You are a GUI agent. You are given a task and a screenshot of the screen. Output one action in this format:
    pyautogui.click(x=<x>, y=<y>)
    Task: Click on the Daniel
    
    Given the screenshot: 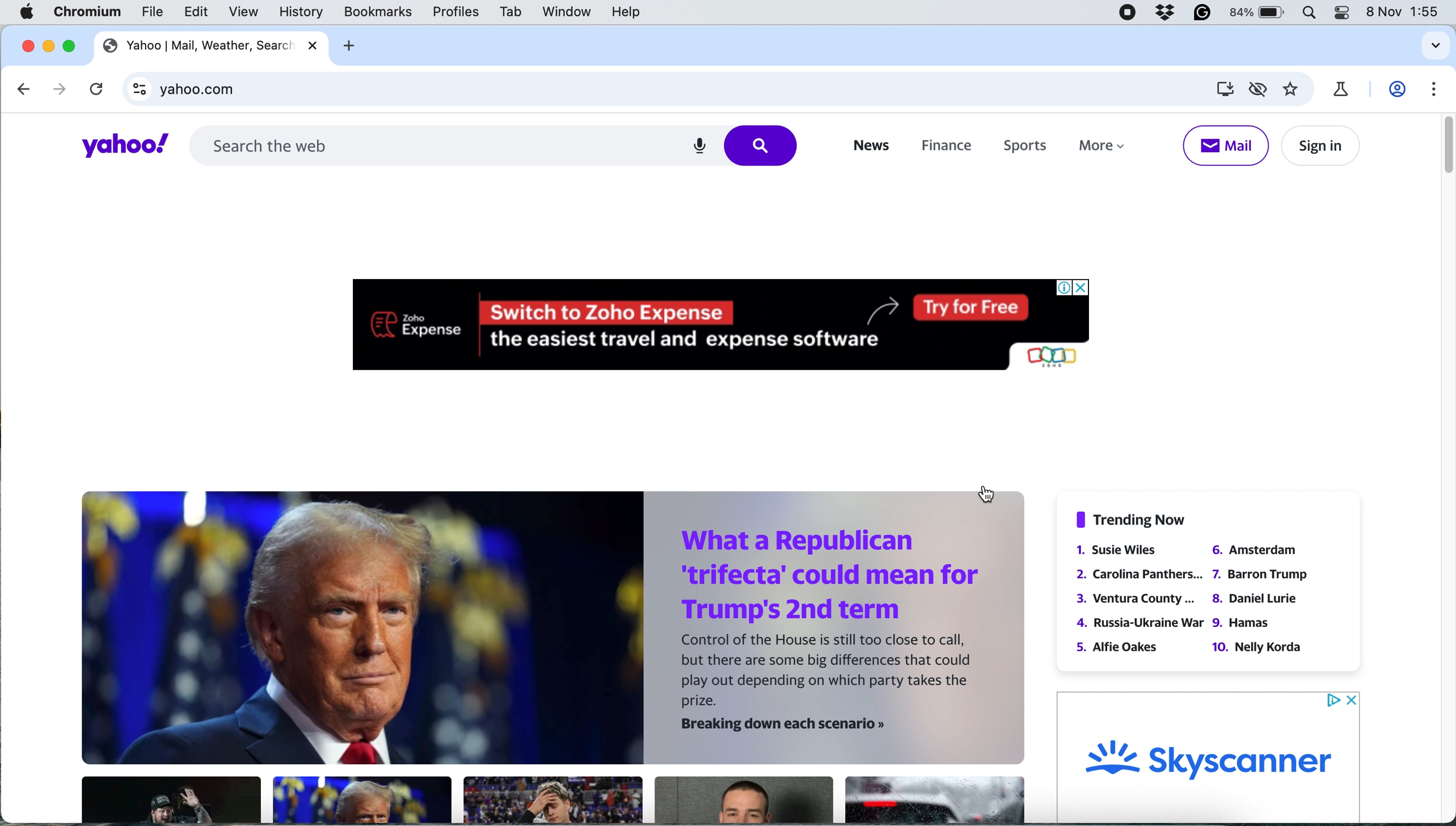 What is the action you would take?
    pyautogui.click(x=1255, y=599)
    